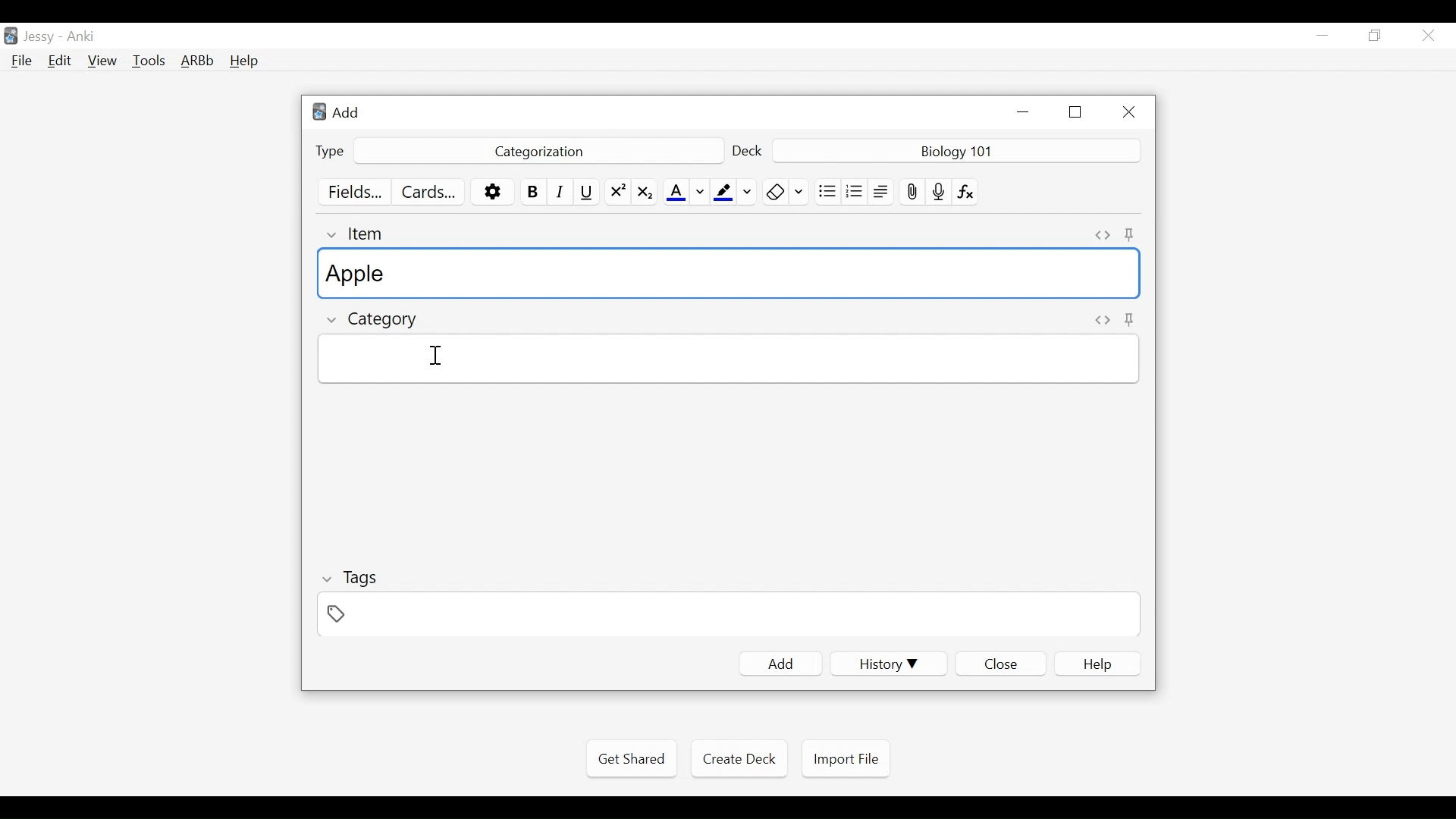 The width and height of the screenshot is (1456, 819). What do you see at coordinates (320, 112) in the screenshot?
I see `Anki logo` at bounding box center [320, 112].